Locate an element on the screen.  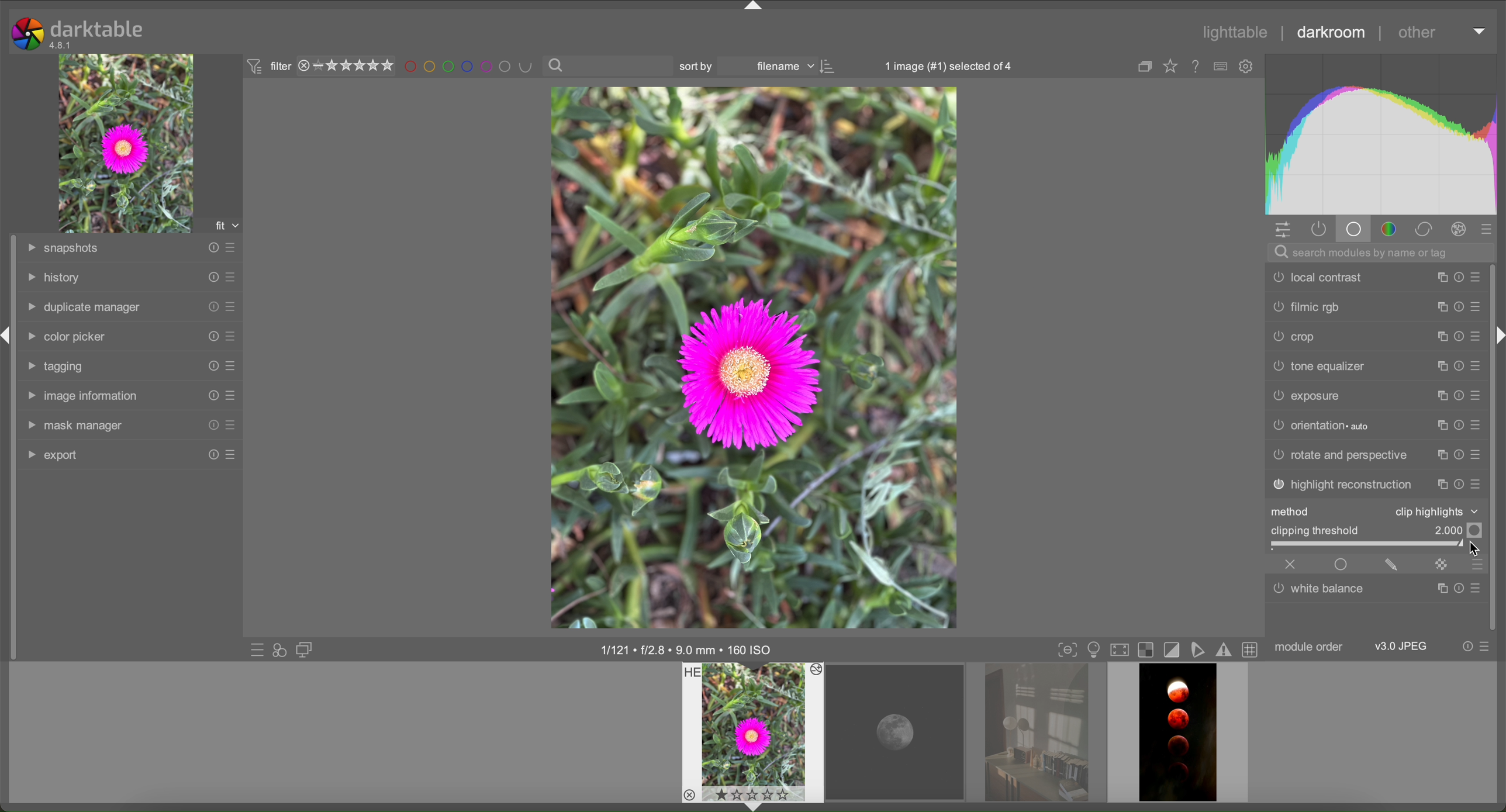
settings is located at coordinates (1246, 67).